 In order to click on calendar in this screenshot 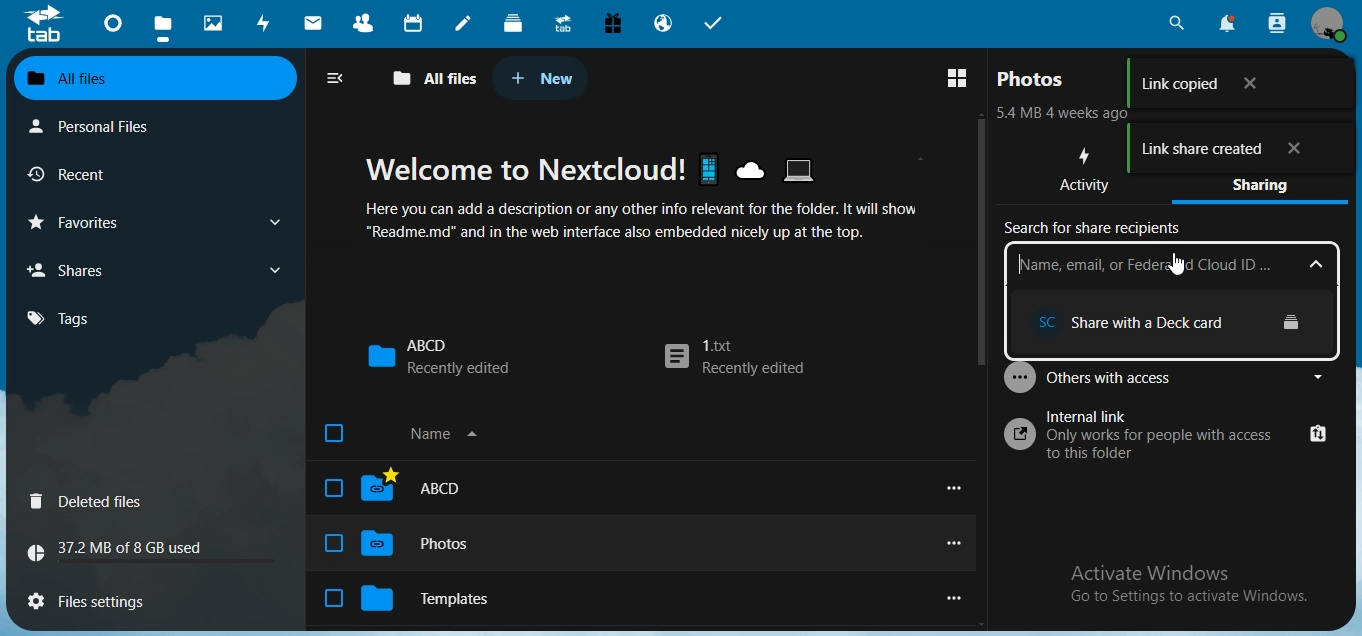, I will do `click(416, 23)`.